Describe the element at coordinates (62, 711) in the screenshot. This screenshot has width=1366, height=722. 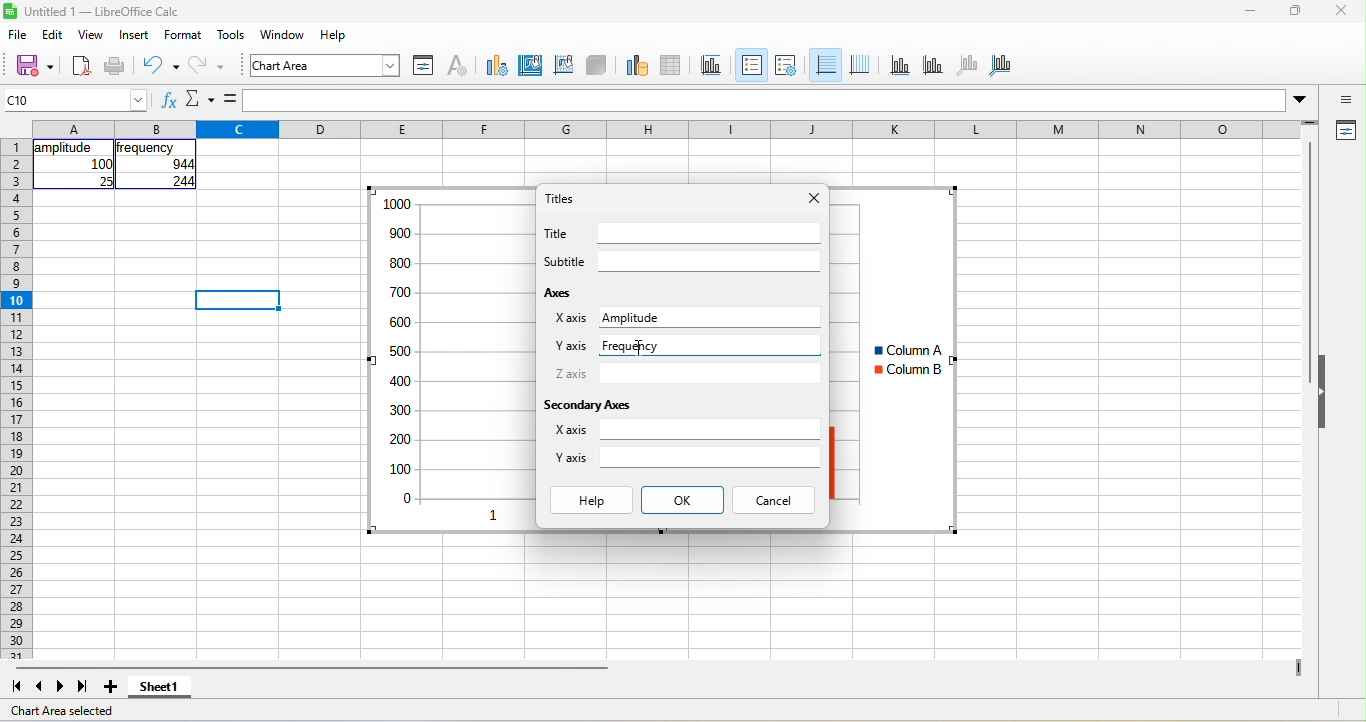
I see `chart area selected` at that location.